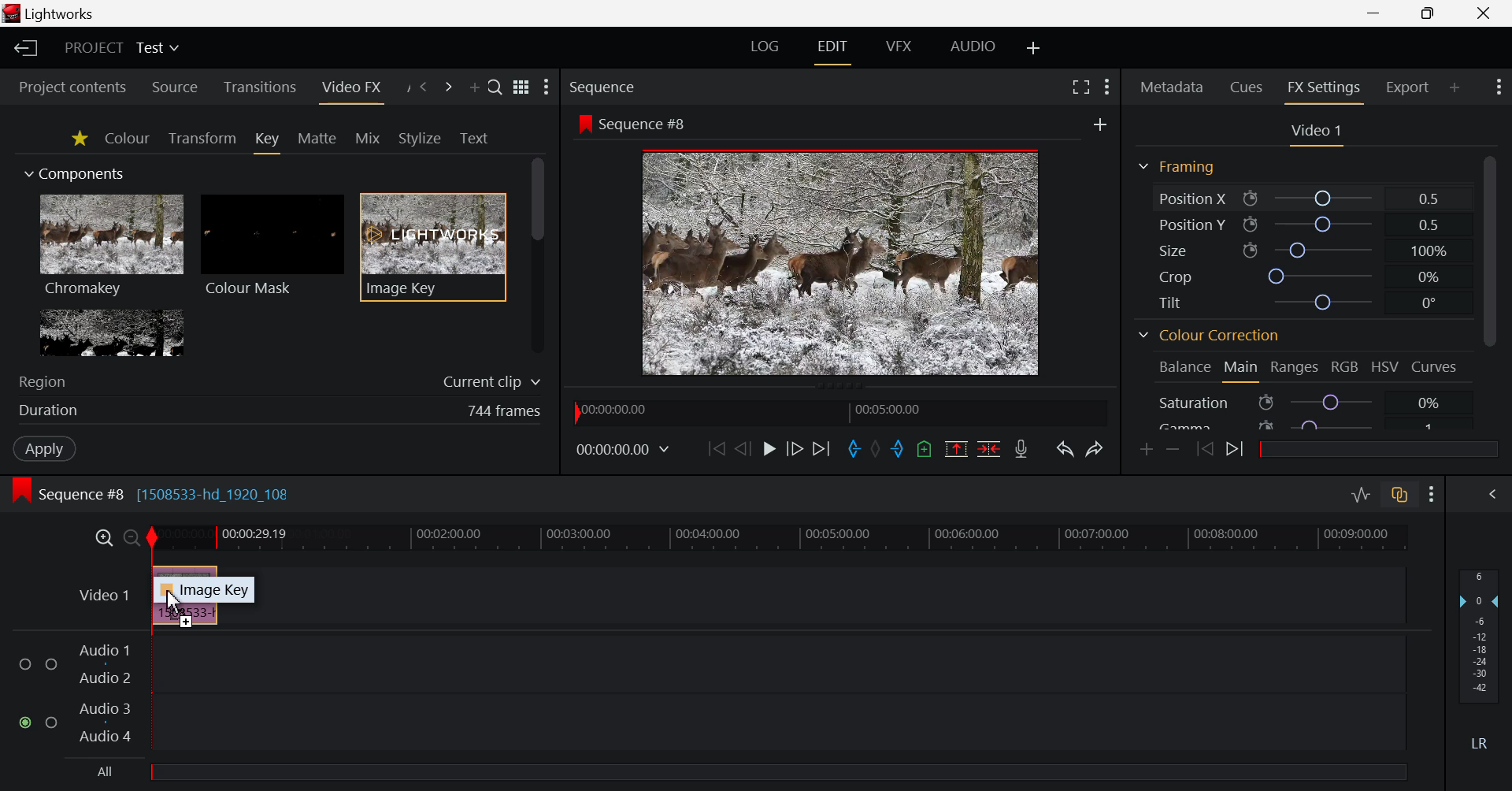  I want to click on Previous keyframe, so click(1205, 452).